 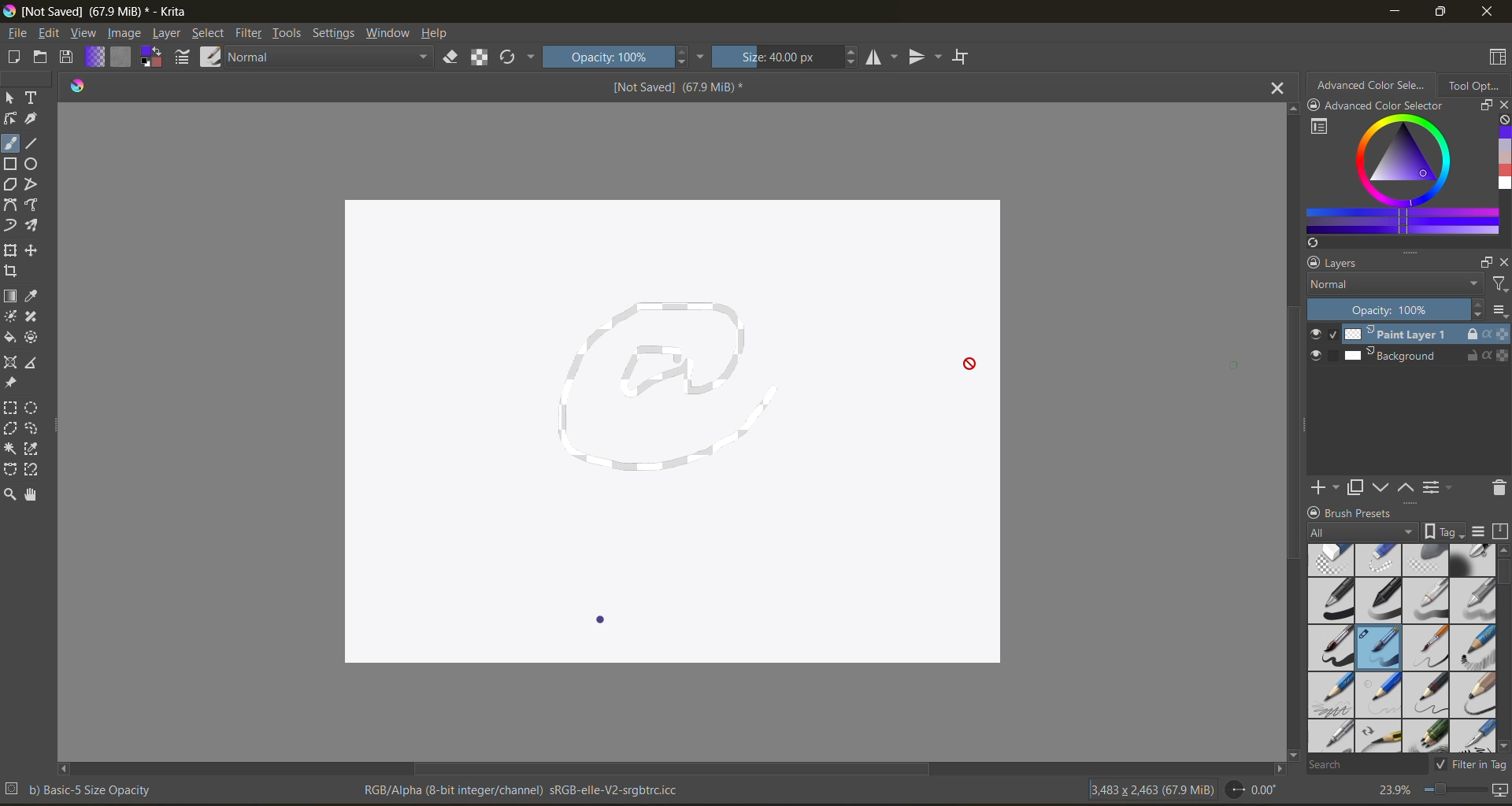 I want to click on bezier curve selection tool, so click(x=10, y=469).